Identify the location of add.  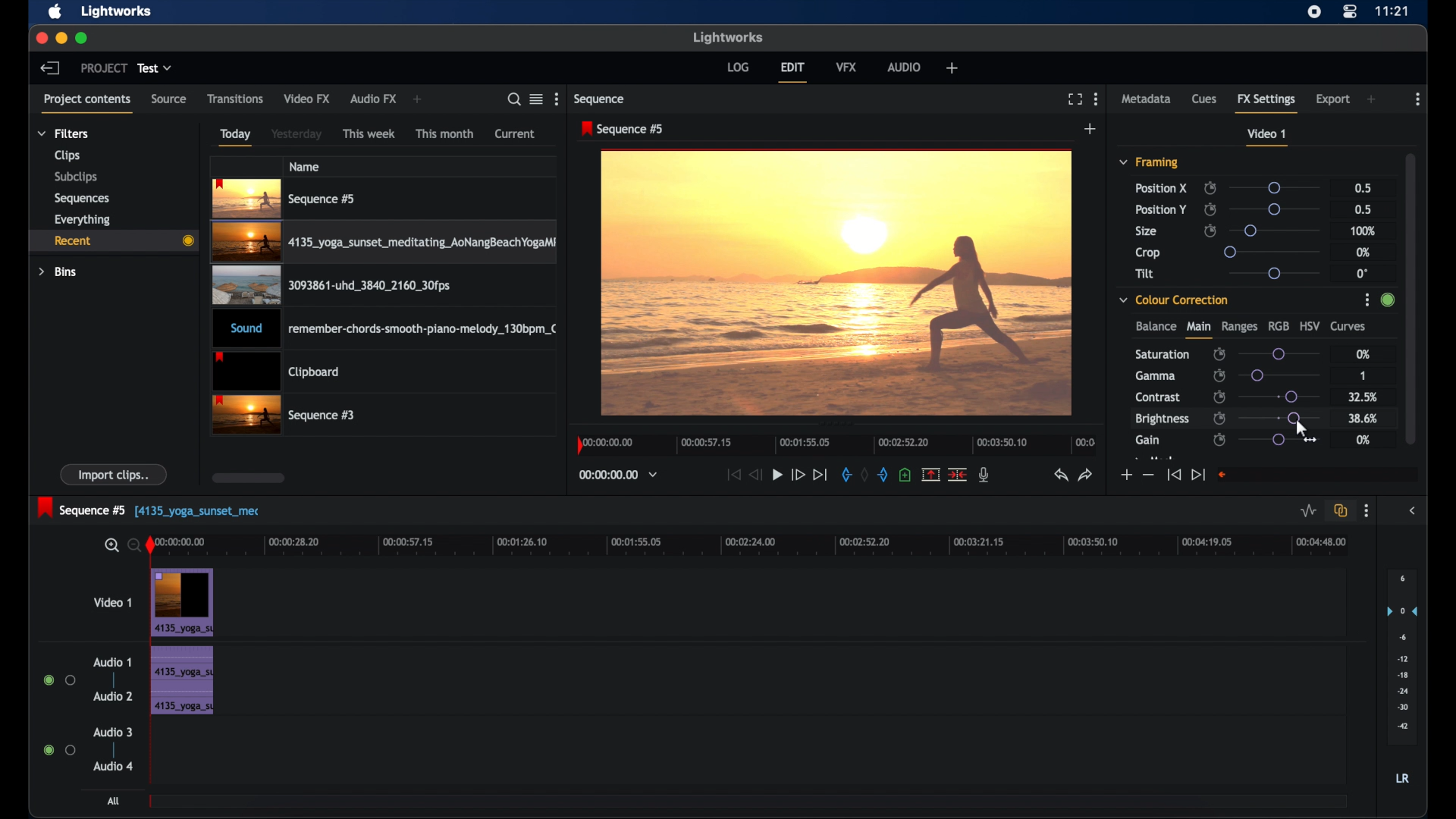
(1090, 129).